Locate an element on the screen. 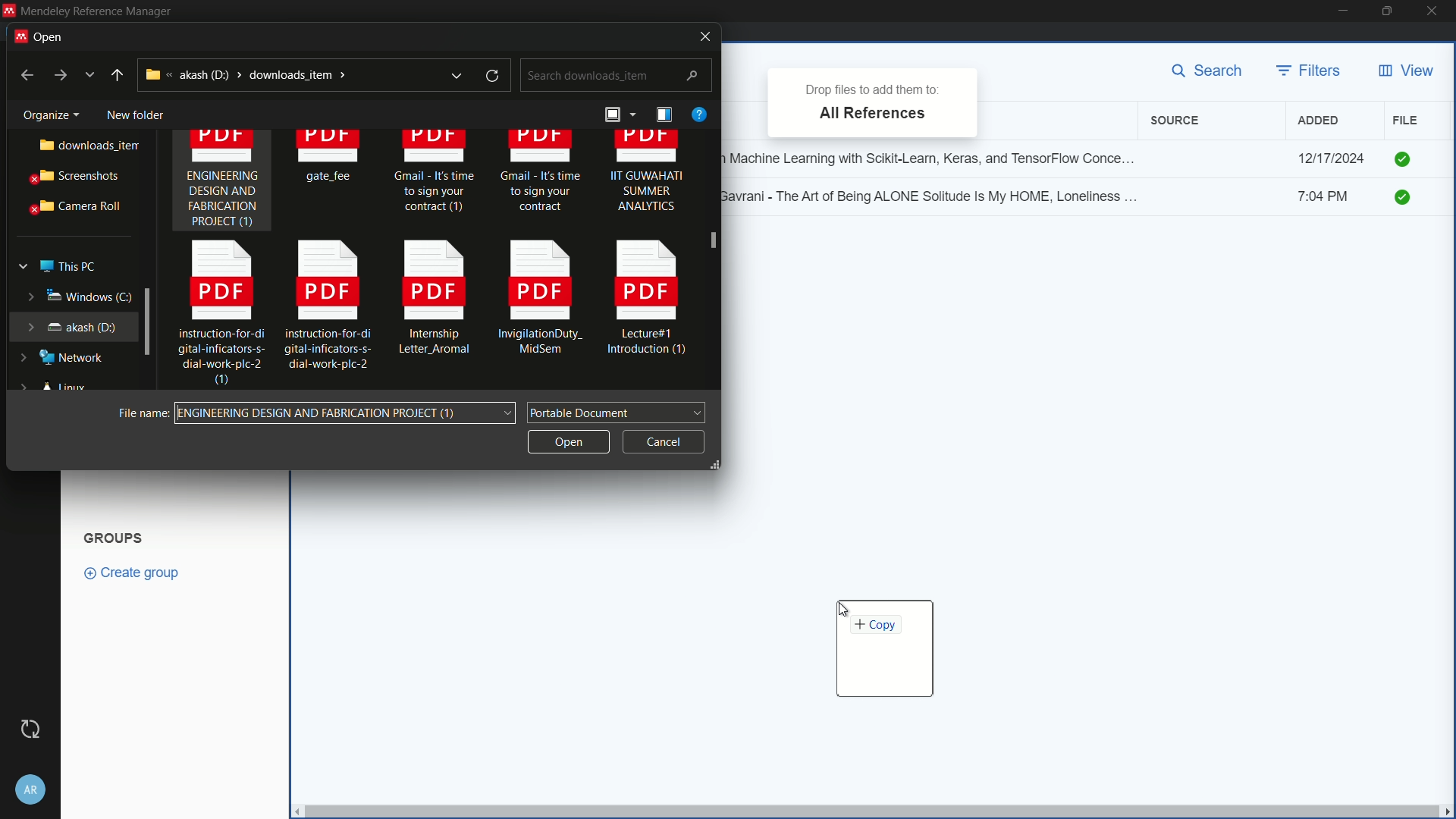  12/17/2024 is located at coordinates (1331, 158).